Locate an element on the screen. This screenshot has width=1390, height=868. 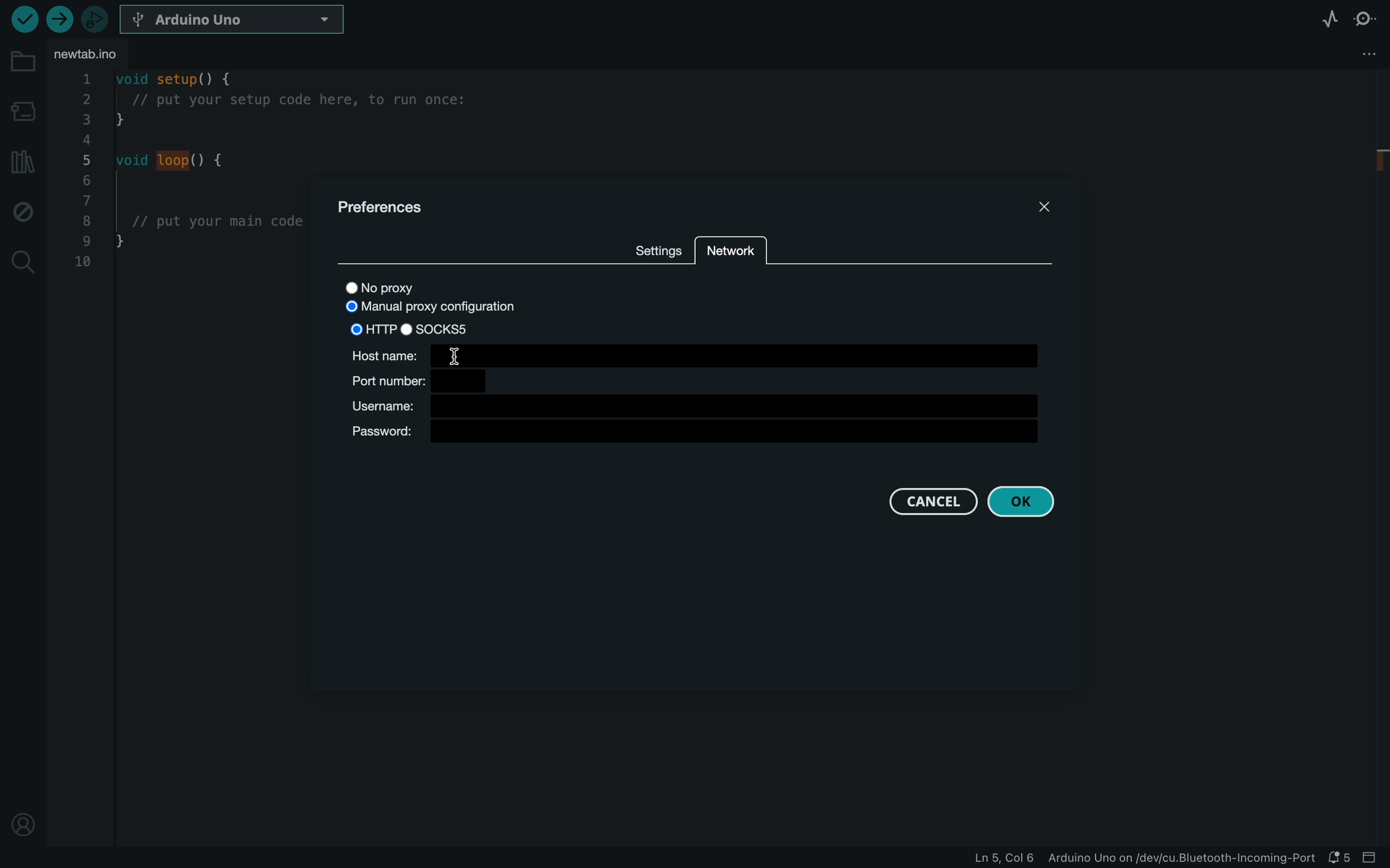
username is located at coordinates (699, 406).